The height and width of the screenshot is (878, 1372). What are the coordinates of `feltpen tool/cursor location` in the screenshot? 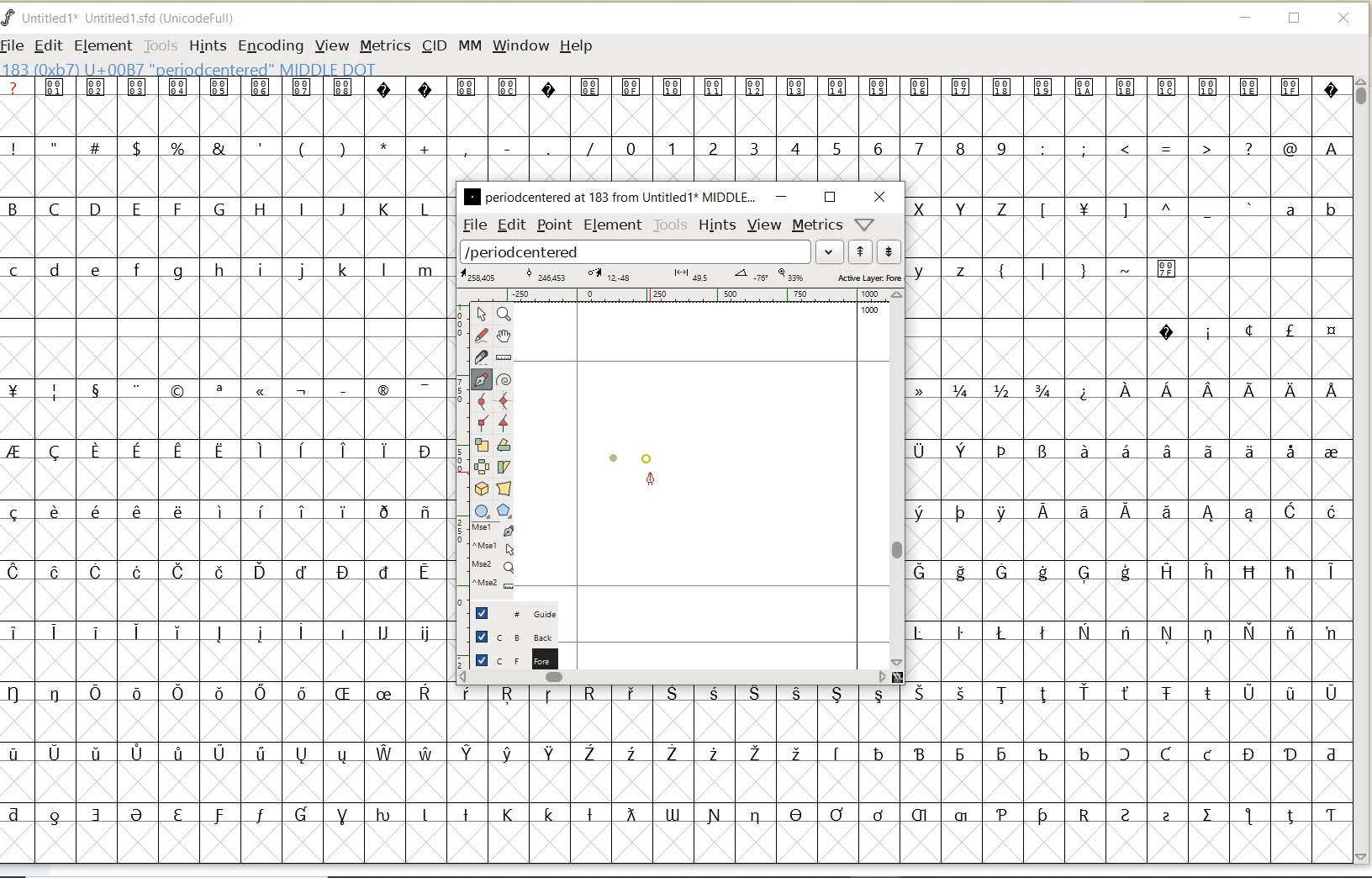 It's located at (650, 480).